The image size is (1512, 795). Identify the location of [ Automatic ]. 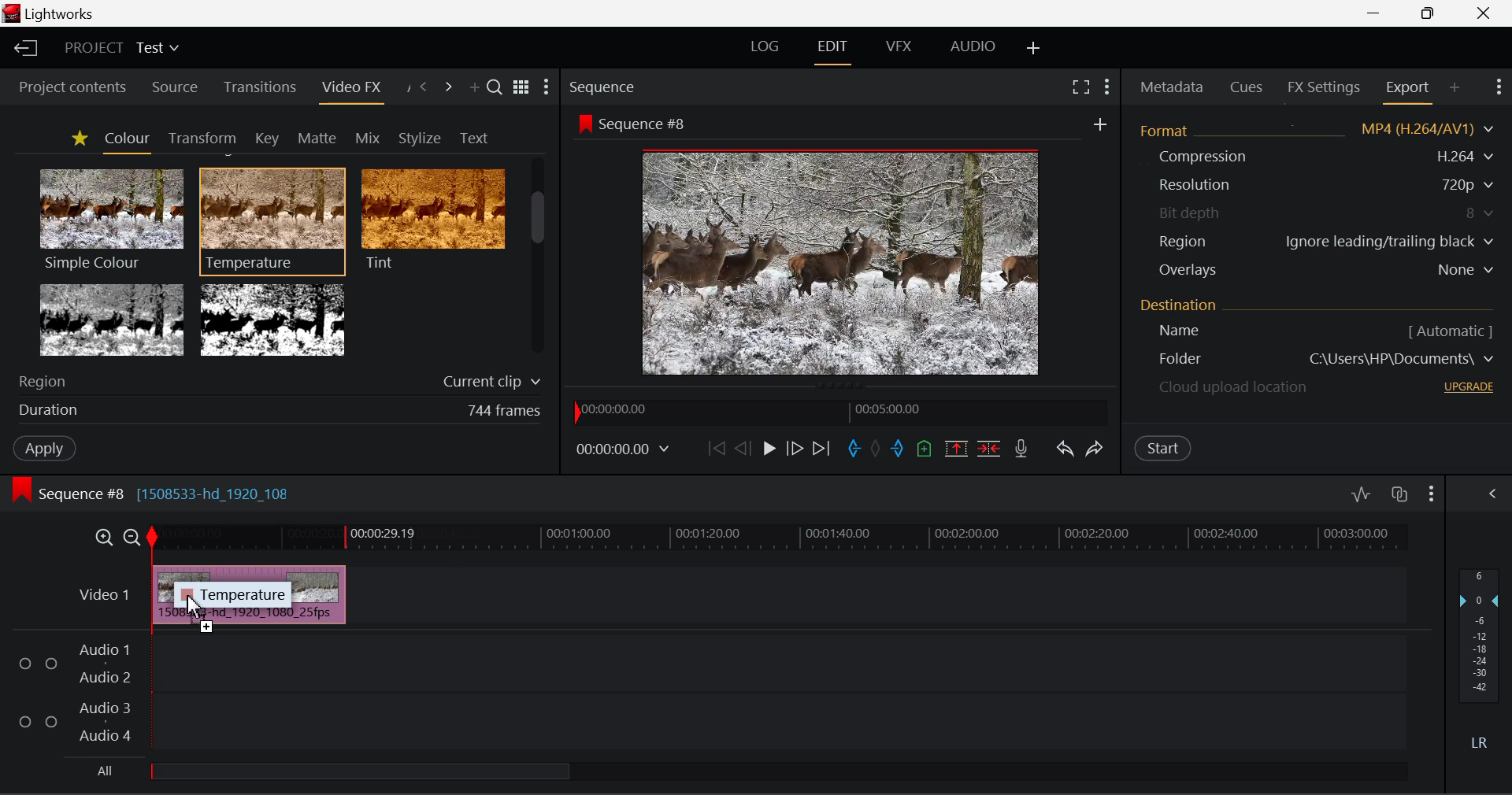
(1451, 331).